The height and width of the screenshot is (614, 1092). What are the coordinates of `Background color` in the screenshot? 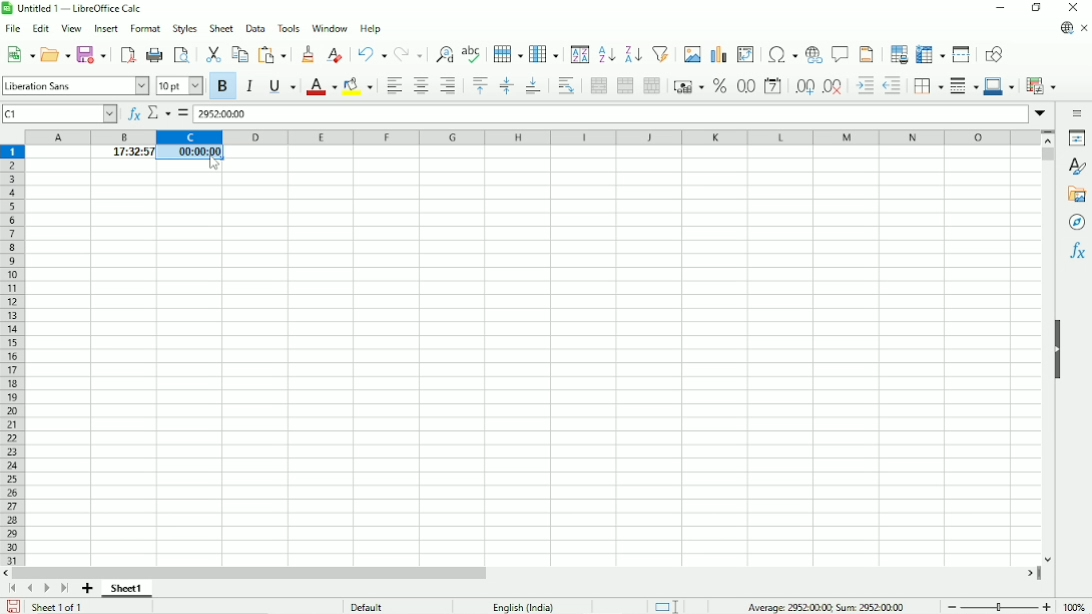 It's located at (357, 86).